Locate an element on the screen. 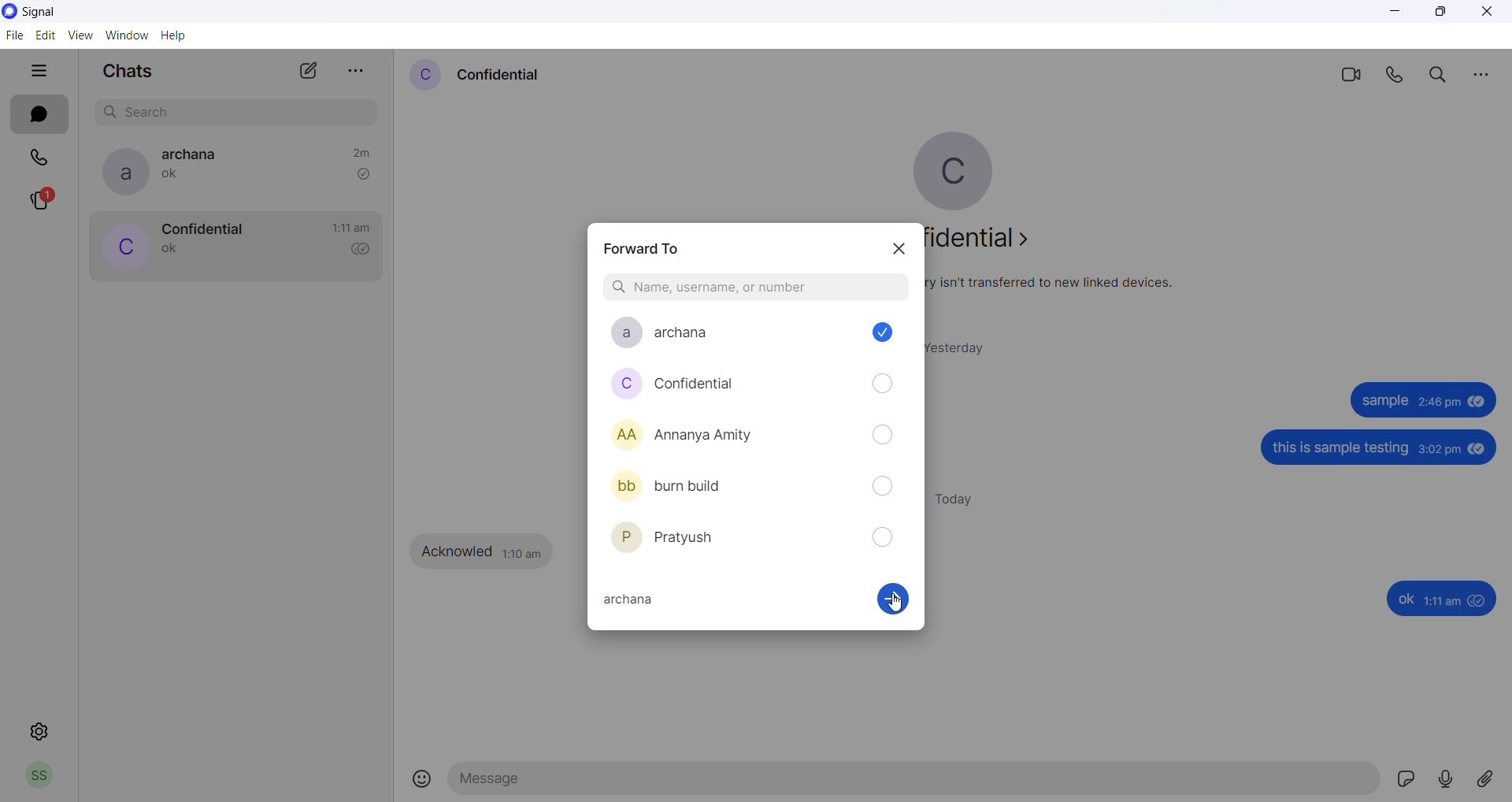 The width and height of the screenshot is (1512, 802). 3:02 pm is located at coordinates (1440, 451).